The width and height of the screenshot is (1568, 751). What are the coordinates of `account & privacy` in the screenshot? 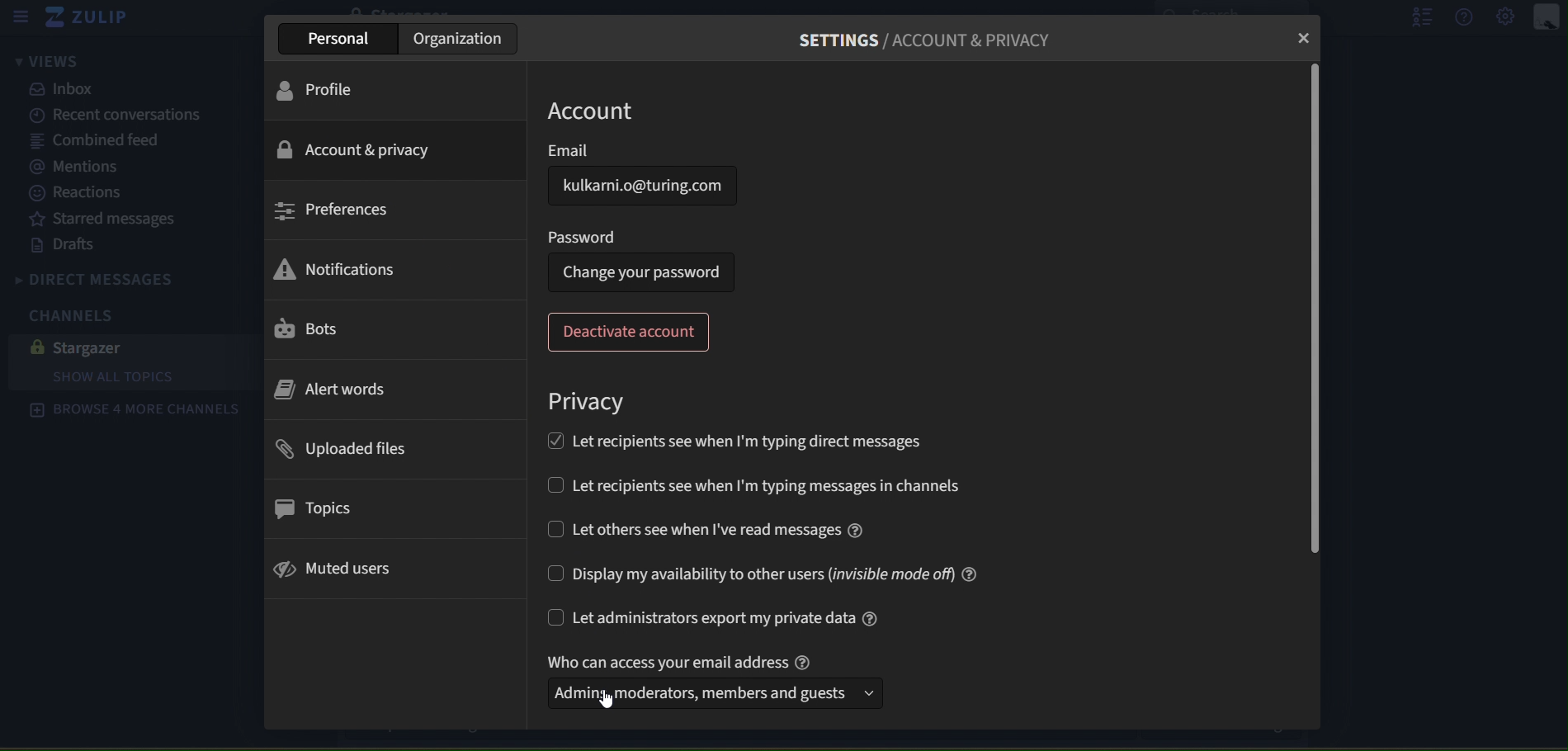 It's located at (356, 151).